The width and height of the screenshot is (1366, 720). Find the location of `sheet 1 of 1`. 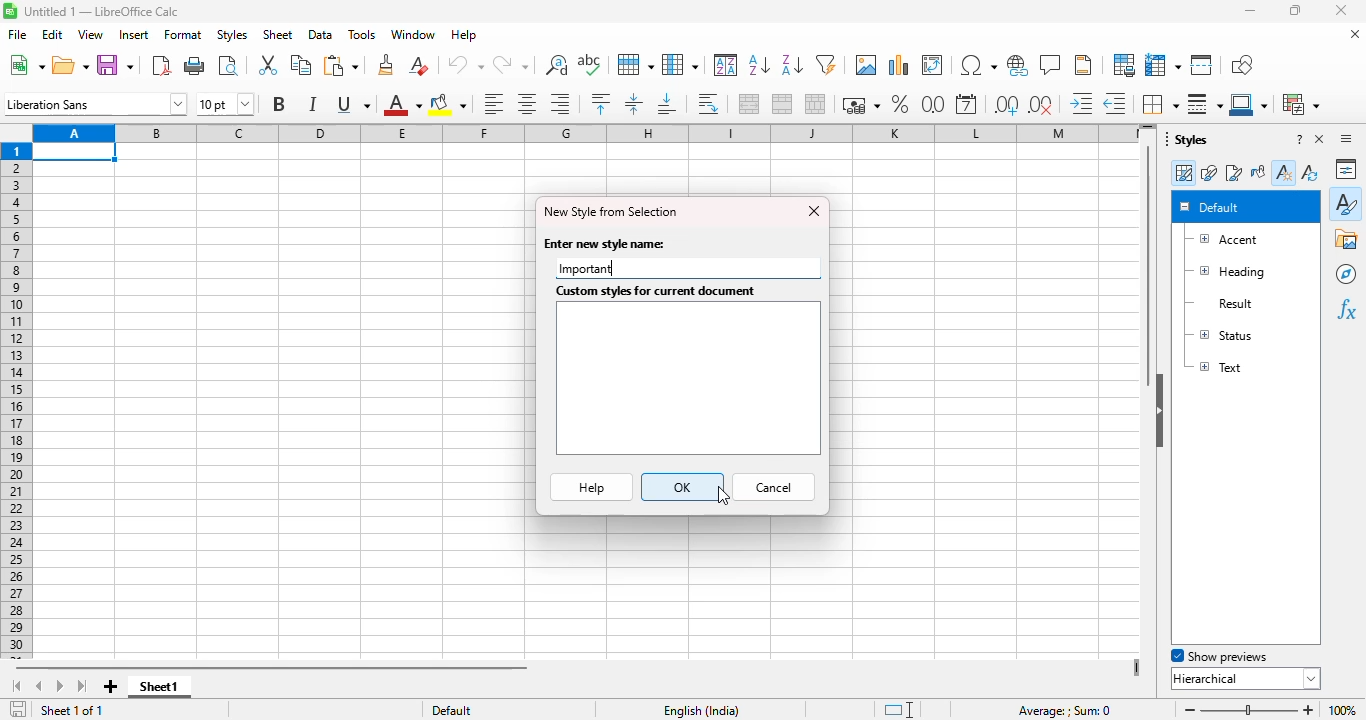

sheet 1 of 1 is located at coordinates (73, 710).